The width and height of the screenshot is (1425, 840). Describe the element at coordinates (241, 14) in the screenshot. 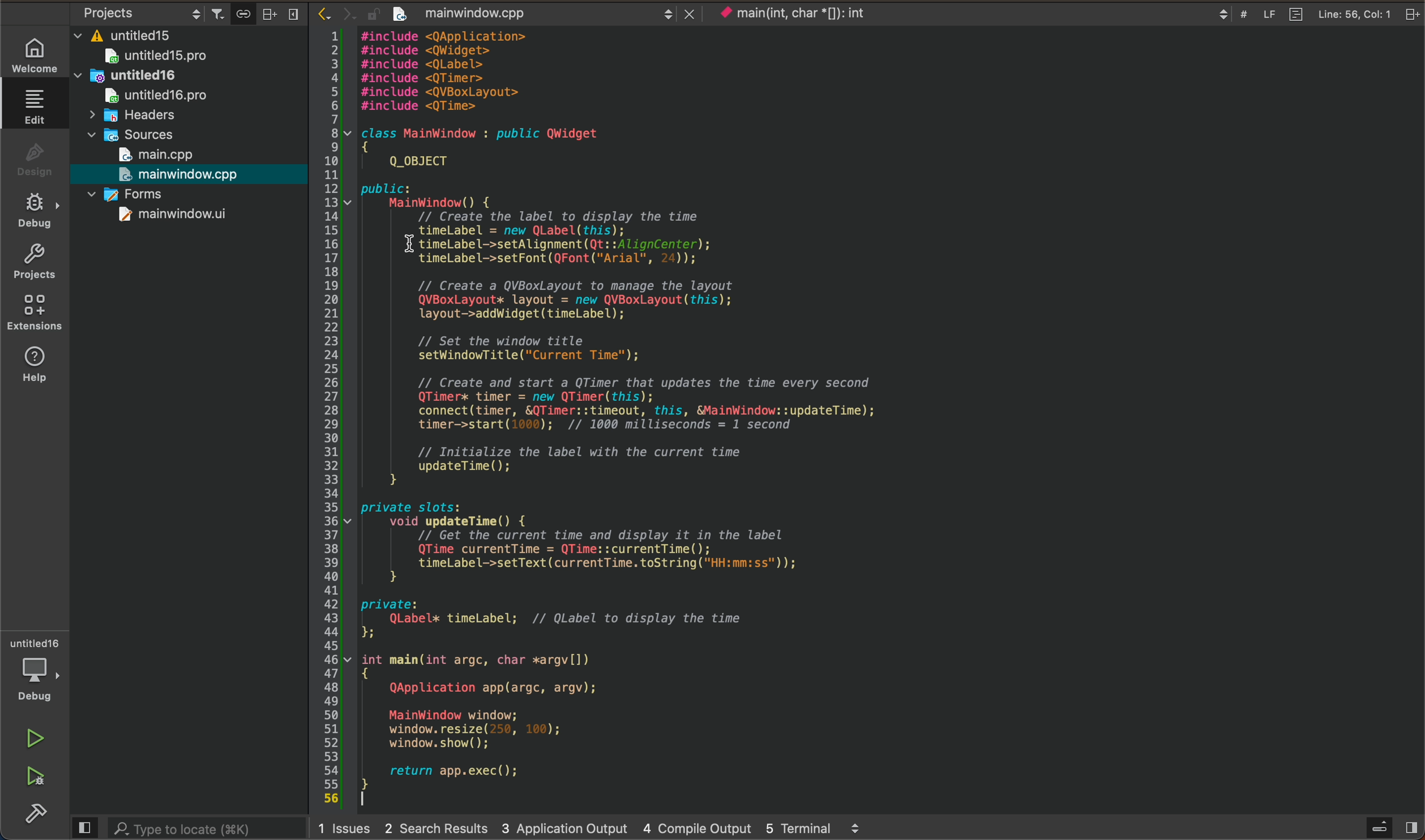

I see `attach` at that location.